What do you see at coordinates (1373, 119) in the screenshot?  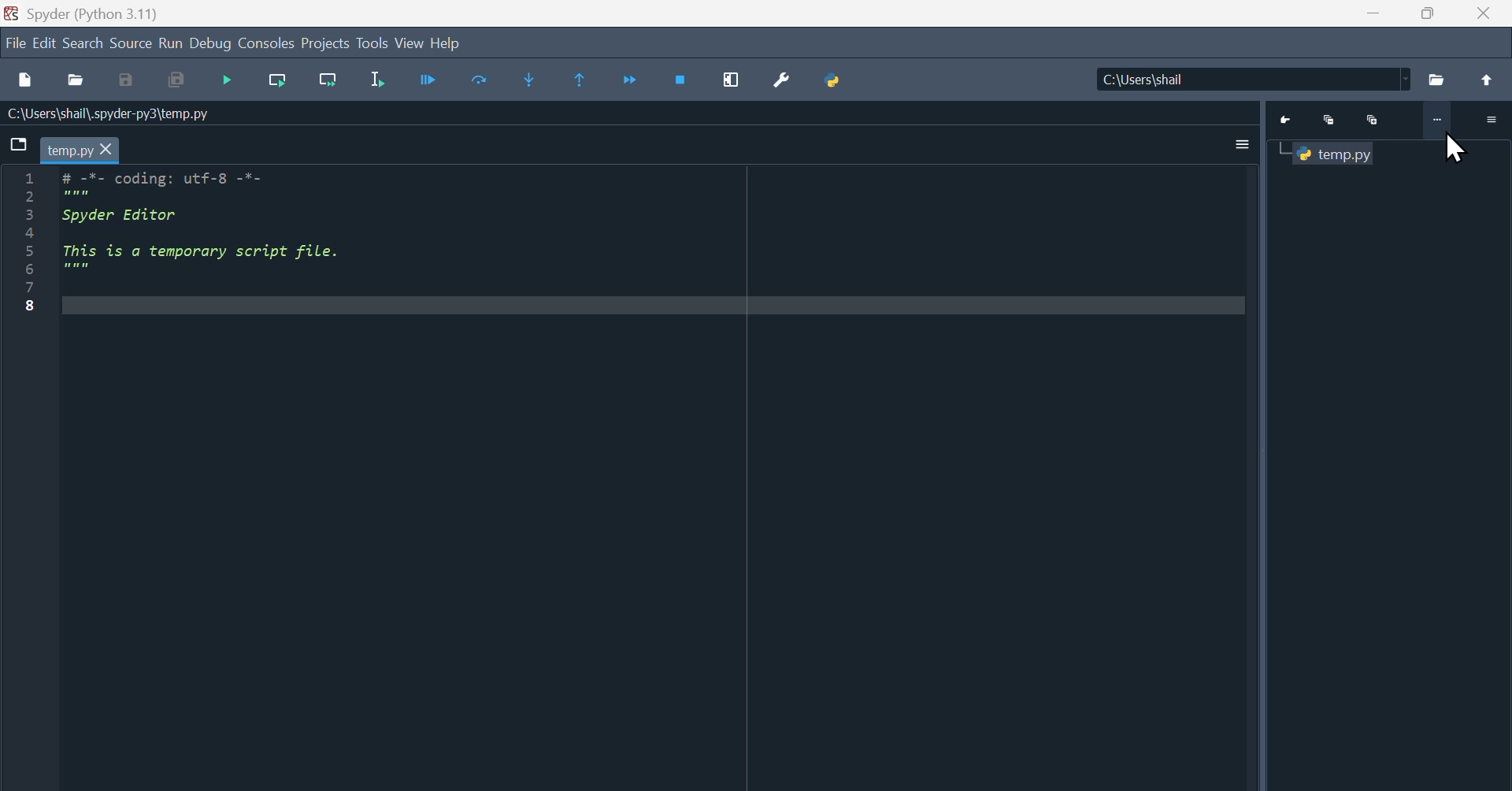 I see `Maximize` at bounding box center [1373, 119].